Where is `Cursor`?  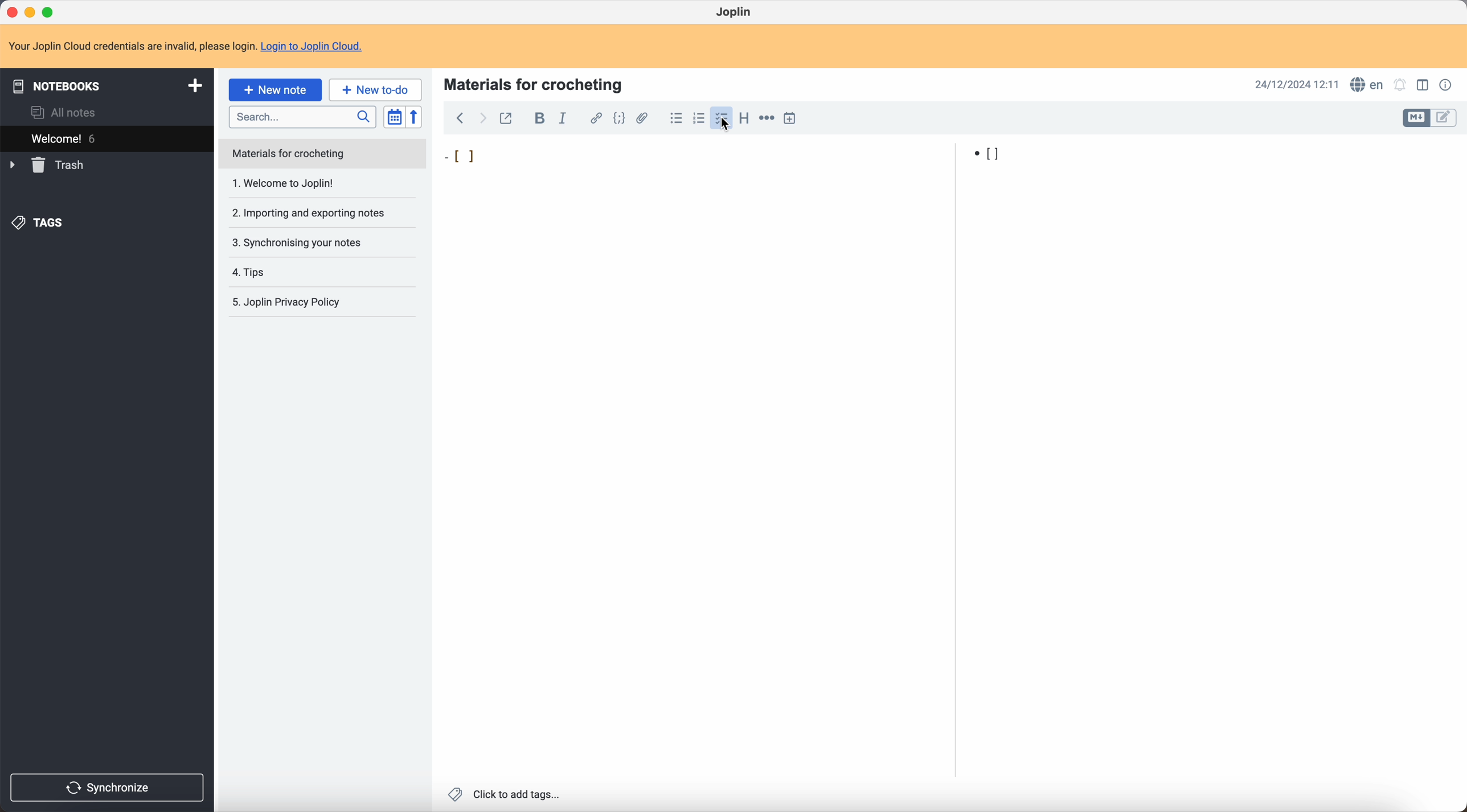
Cursor is located at coordinates (728, 128).